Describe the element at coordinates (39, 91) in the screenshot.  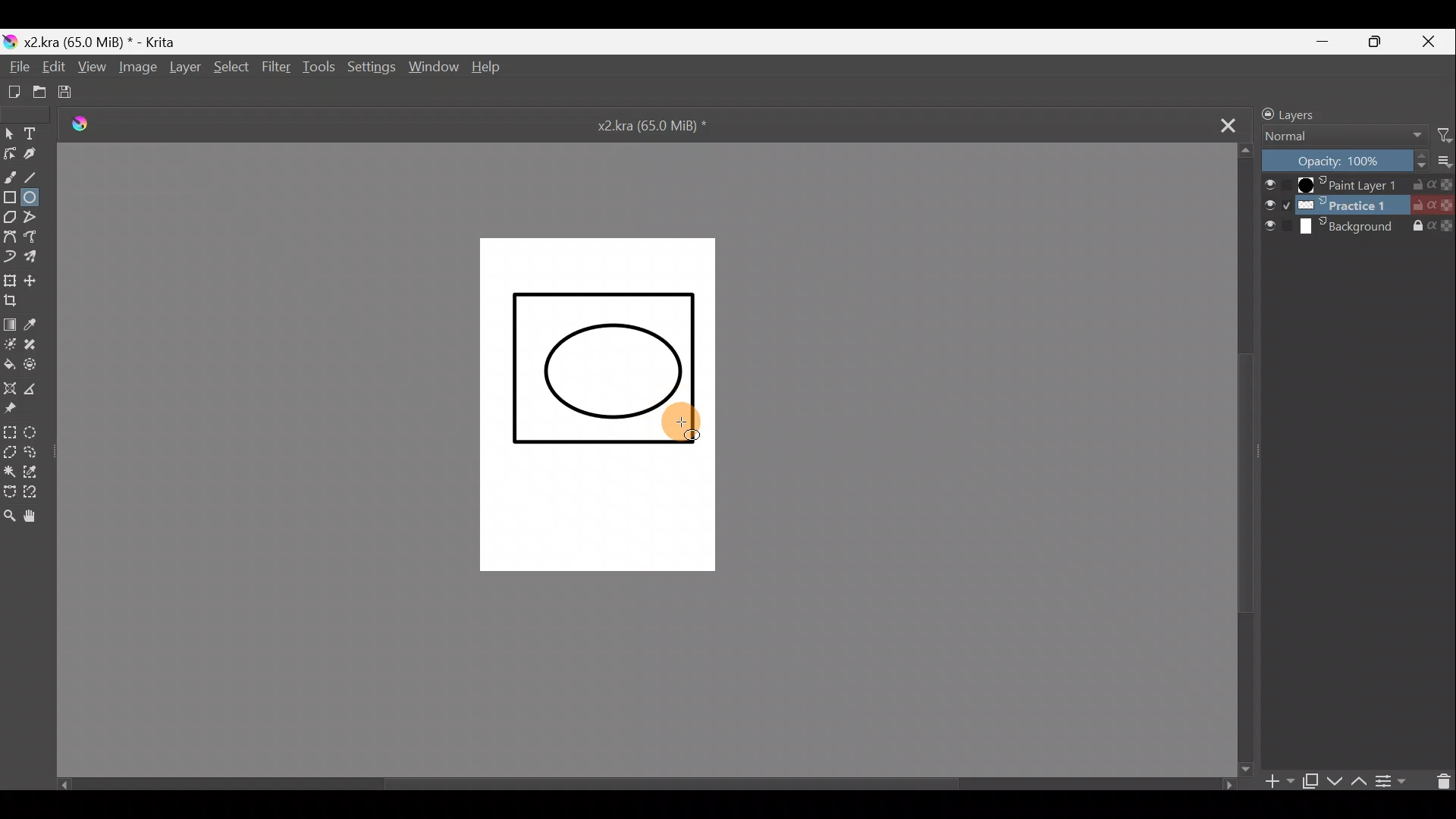
I see `Open existing document` at that location.